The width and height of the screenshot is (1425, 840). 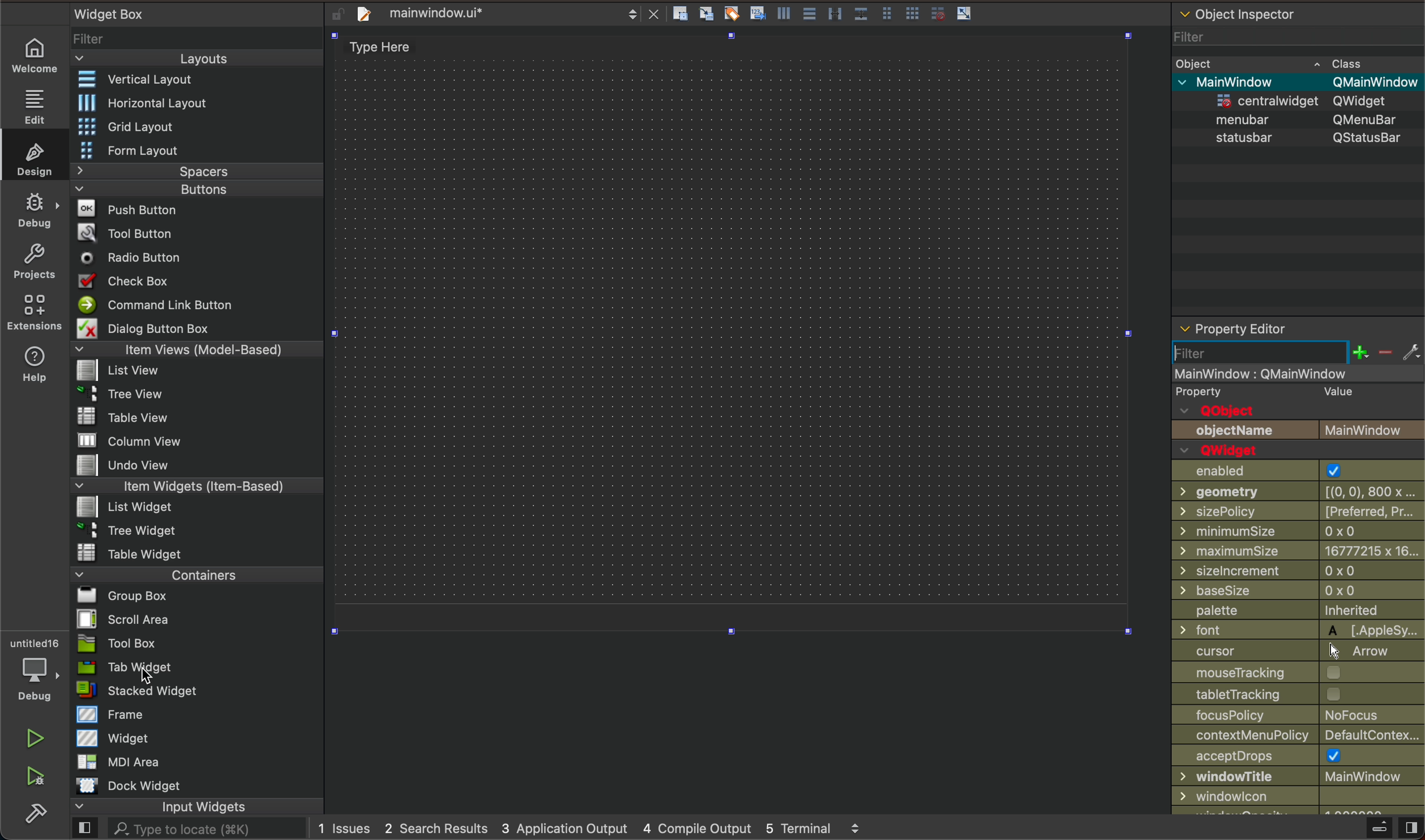 I want to click on List widget, so click(x=119, y=507).